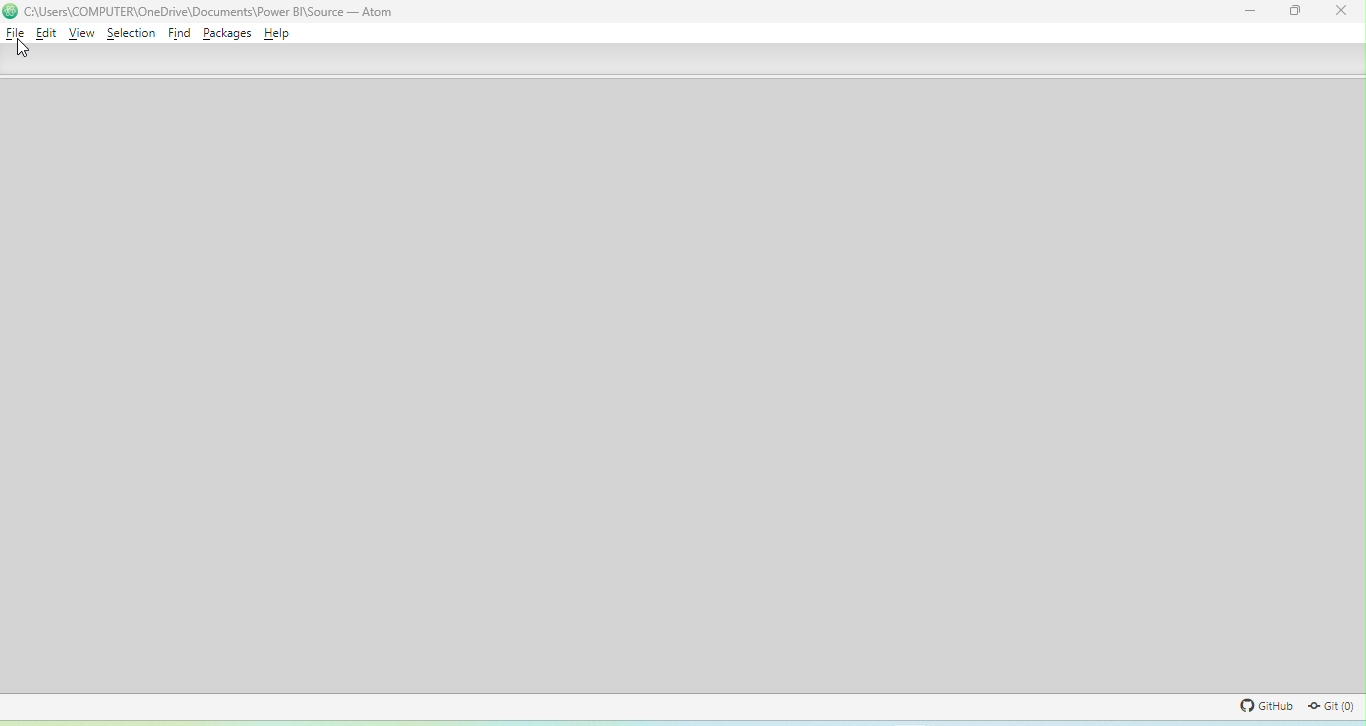 The width and height of the screenshot is (1366, 726). What do you see at coordinates (1261, 706) in the screenshot?
I see `github` at bounding box center [1261, 706].